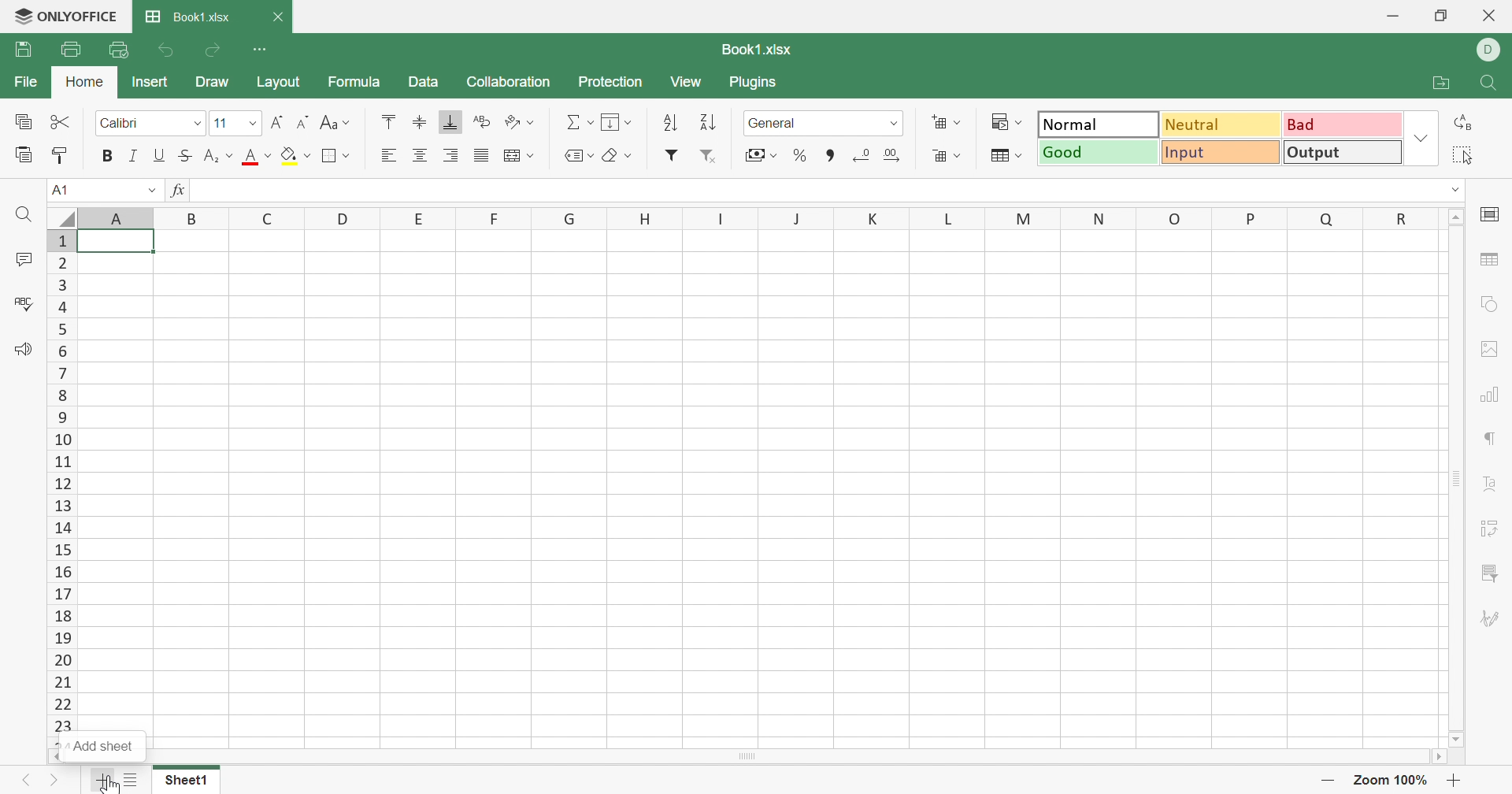 This screenshot has height=794, width=1512. I want to click on Align Center, so click(421, 154).